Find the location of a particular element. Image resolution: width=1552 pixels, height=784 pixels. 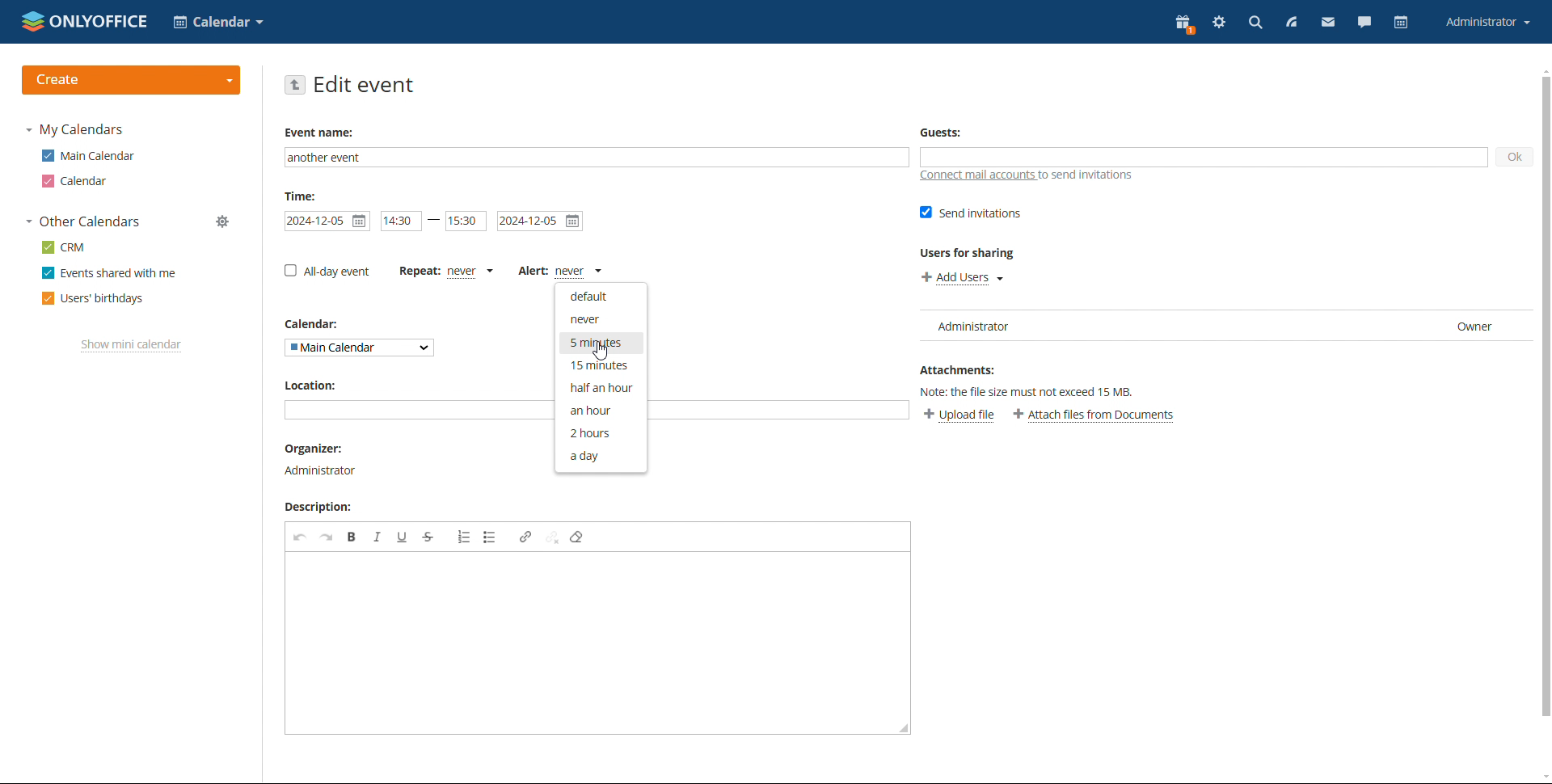

user list is located at coordinates (1223, 327).